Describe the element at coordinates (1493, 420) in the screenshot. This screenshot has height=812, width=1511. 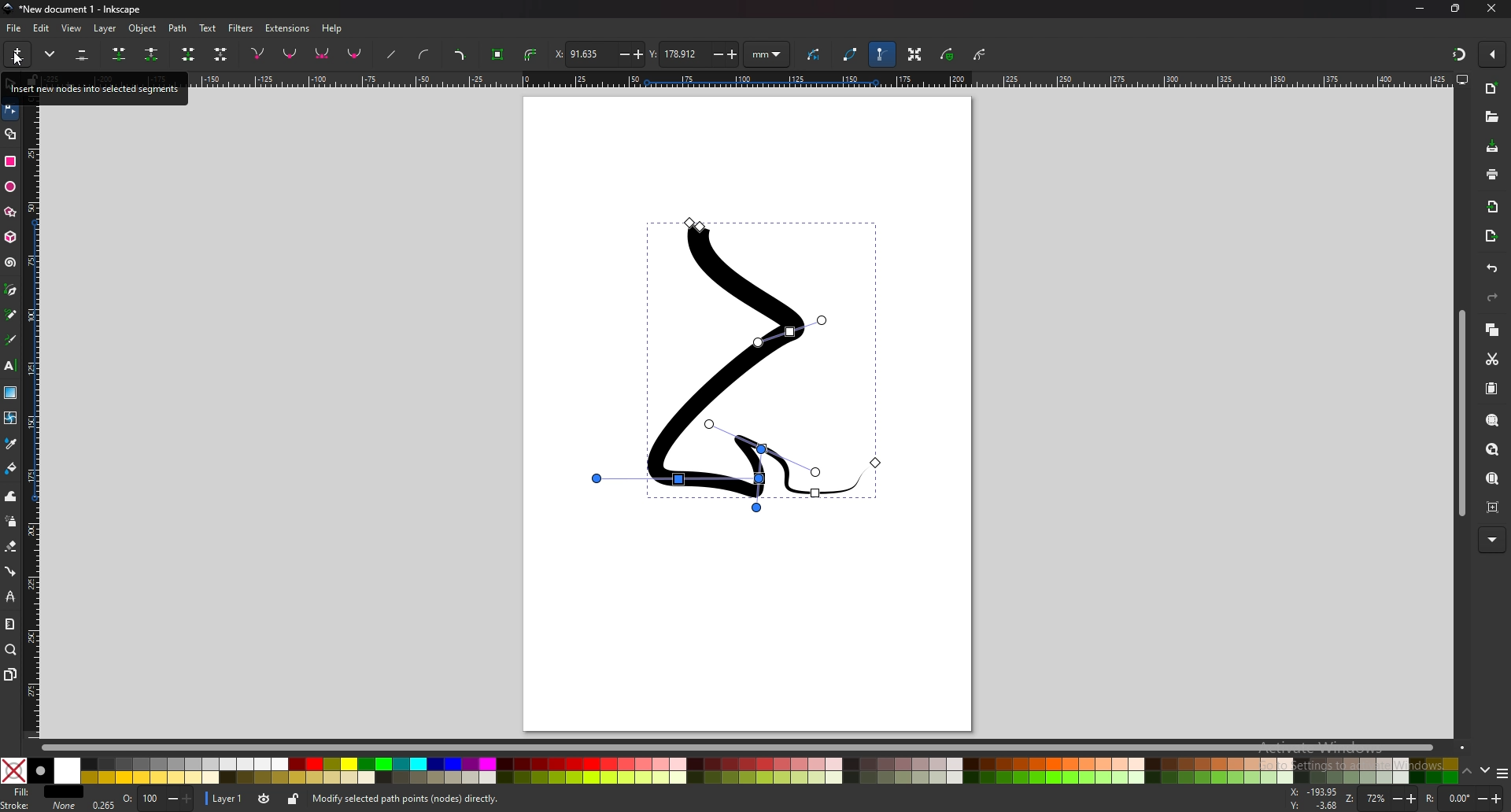
I see `zoom selection` at that location.